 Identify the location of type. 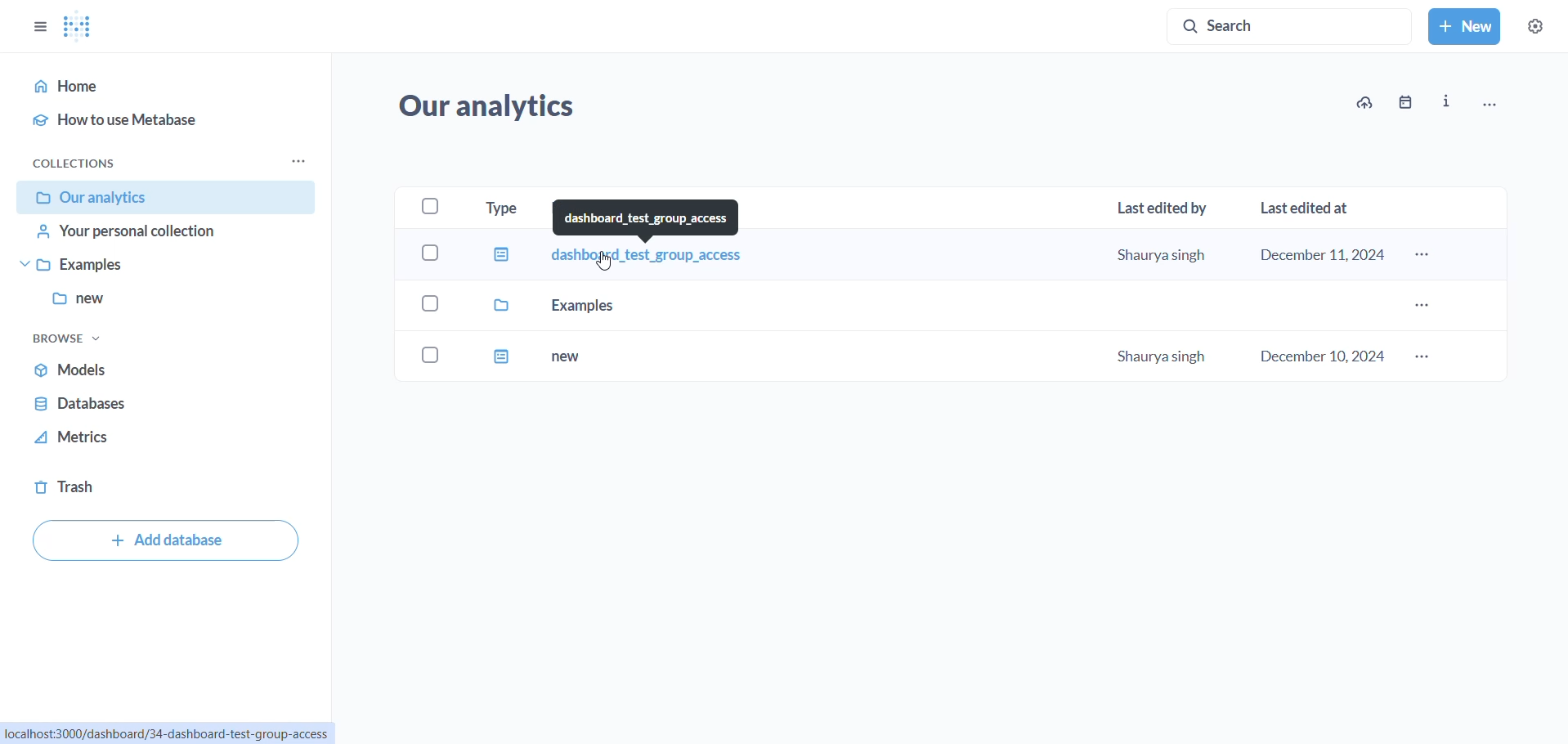
(505, 207).